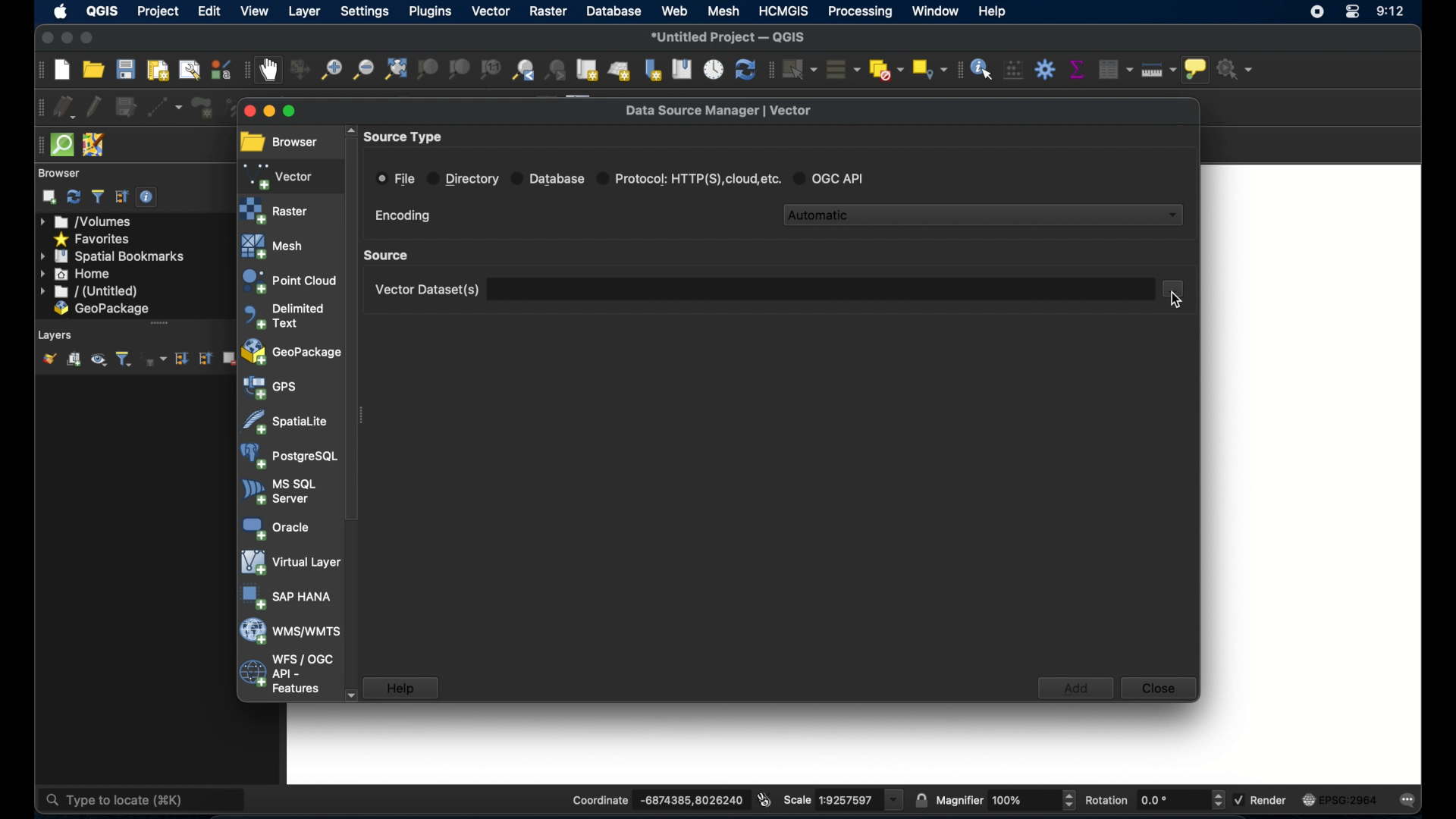 Image resolution: width=1456 pixels, height=819 pixels. I want to click on new 3d map view, so click(620, 72).